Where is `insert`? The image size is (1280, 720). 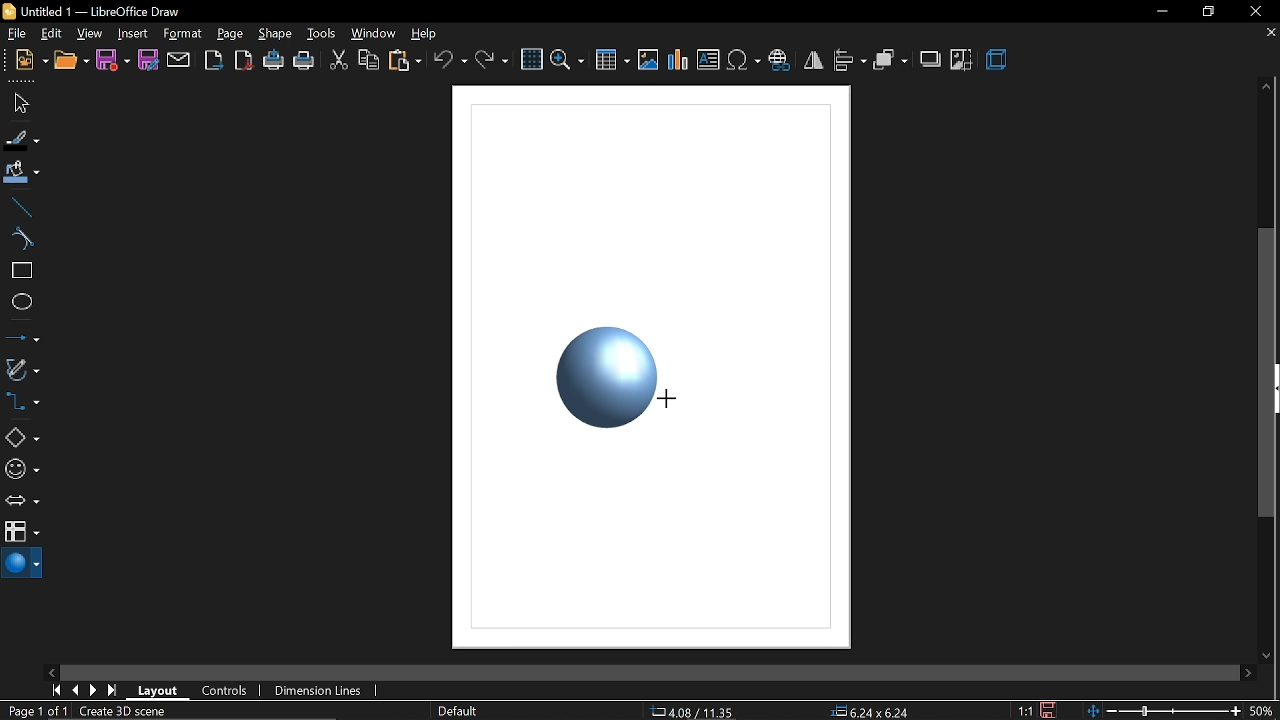
insert is located at coordinates (133, 33).